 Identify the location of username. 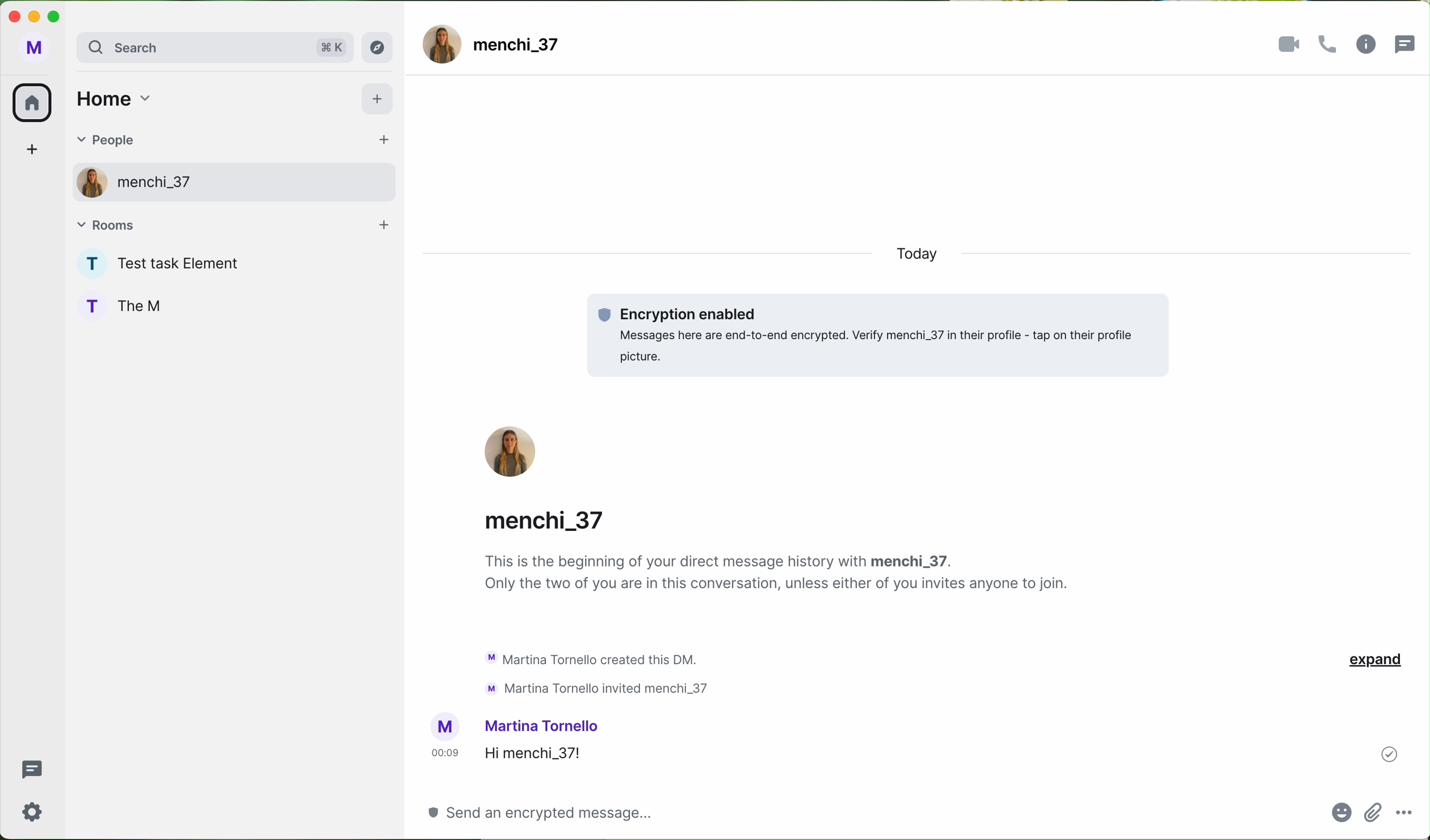
(544, 725).